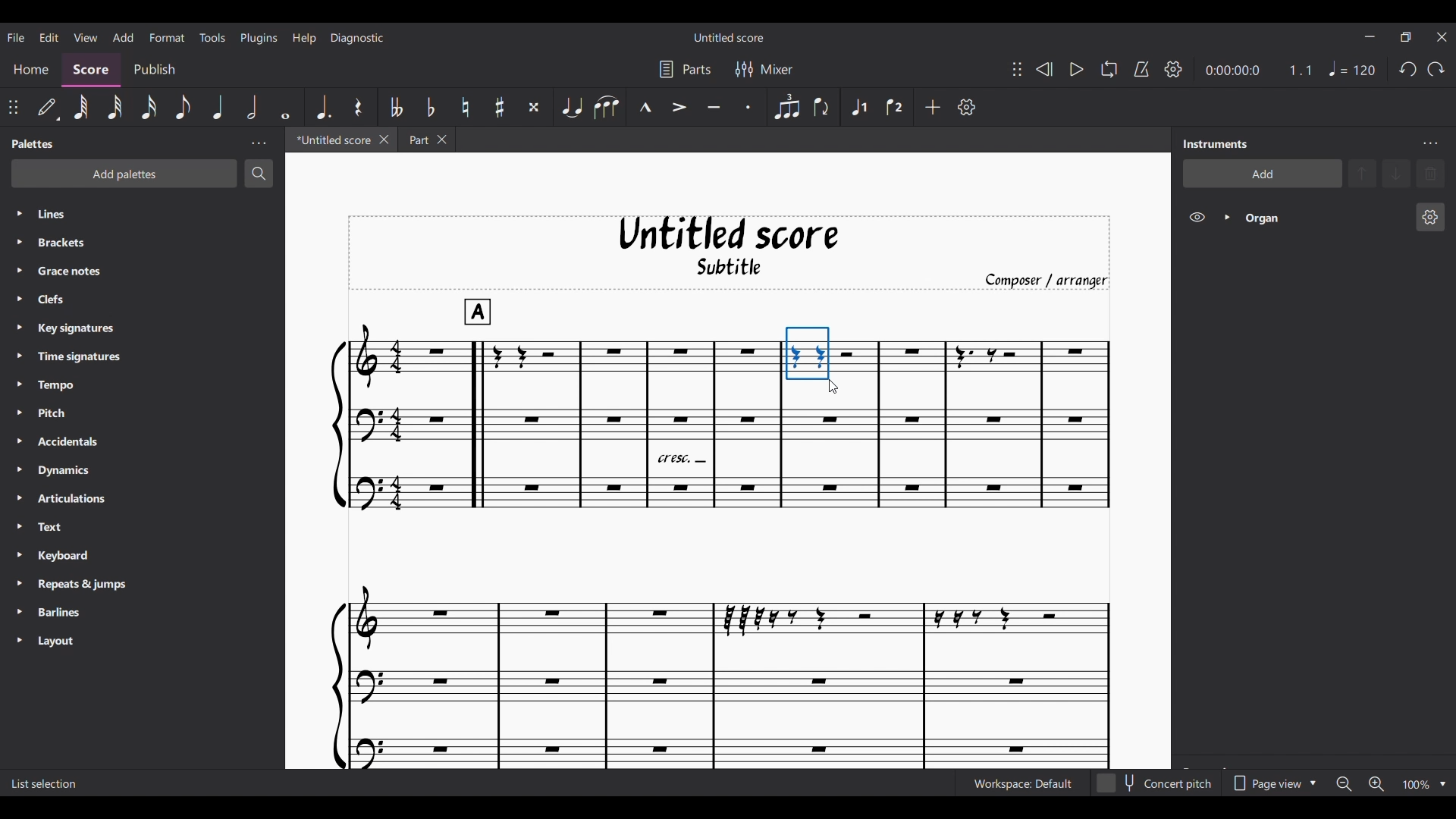  I want to click on Parts settings, so click(685, 70).